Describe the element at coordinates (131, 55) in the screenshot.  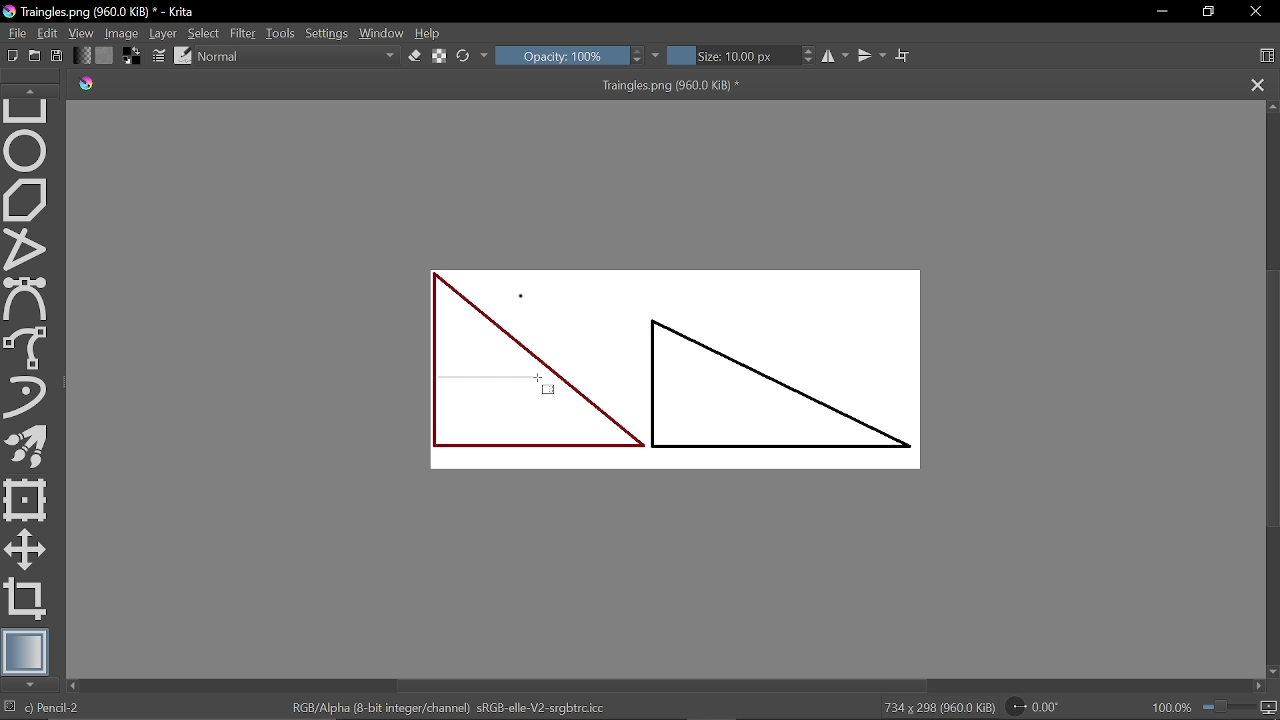
I see `Background color` at that location.